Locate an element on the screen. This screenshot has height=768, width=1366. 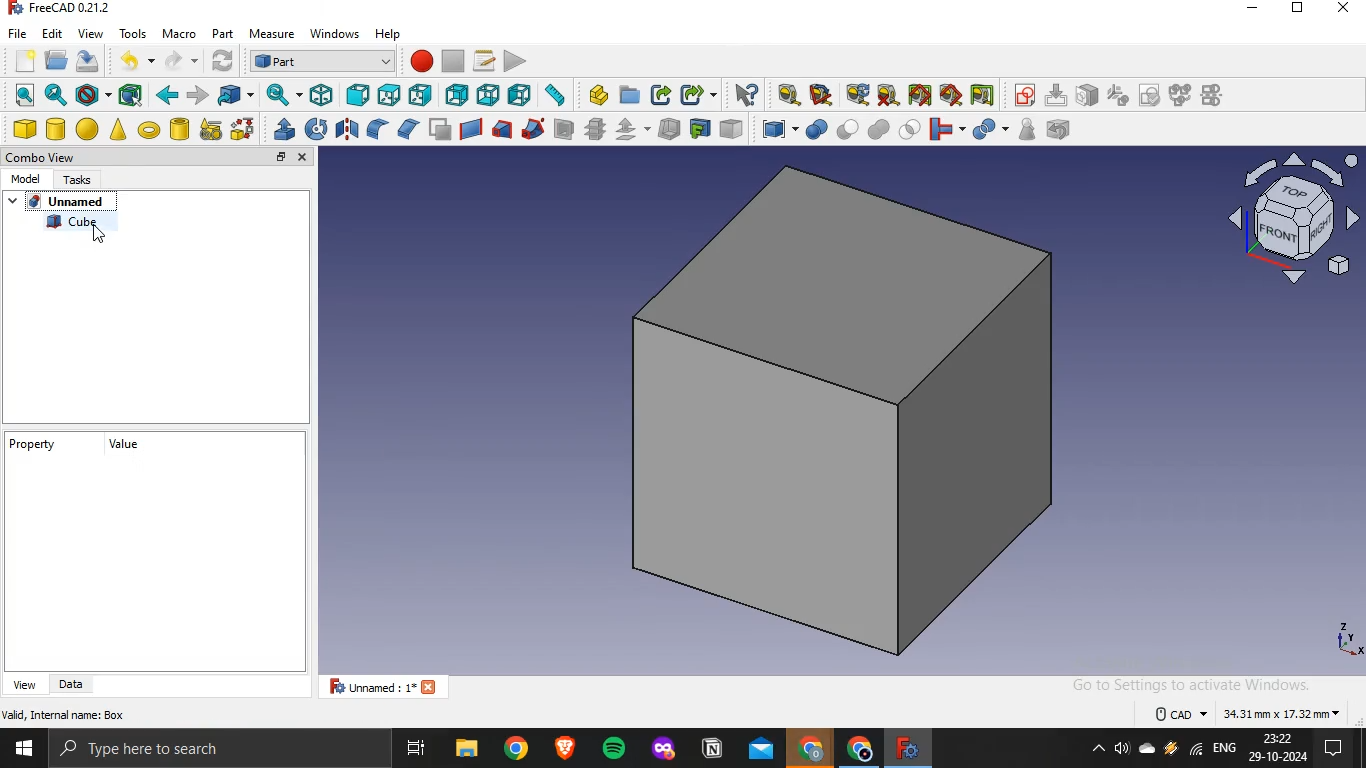
macros is located at coordinates (484, 60).